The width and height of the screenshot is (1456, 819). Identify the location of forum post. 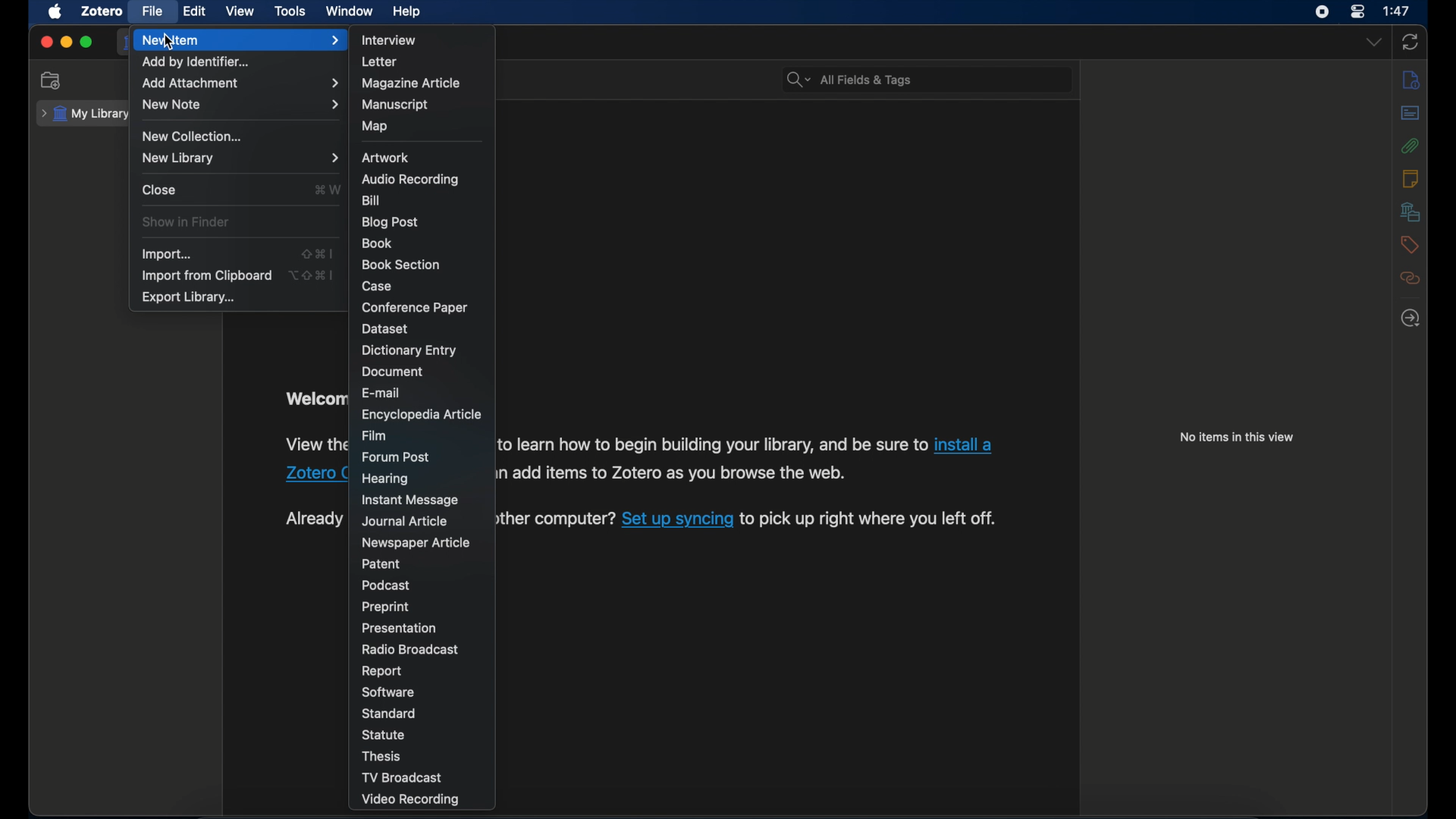
(397, 457).